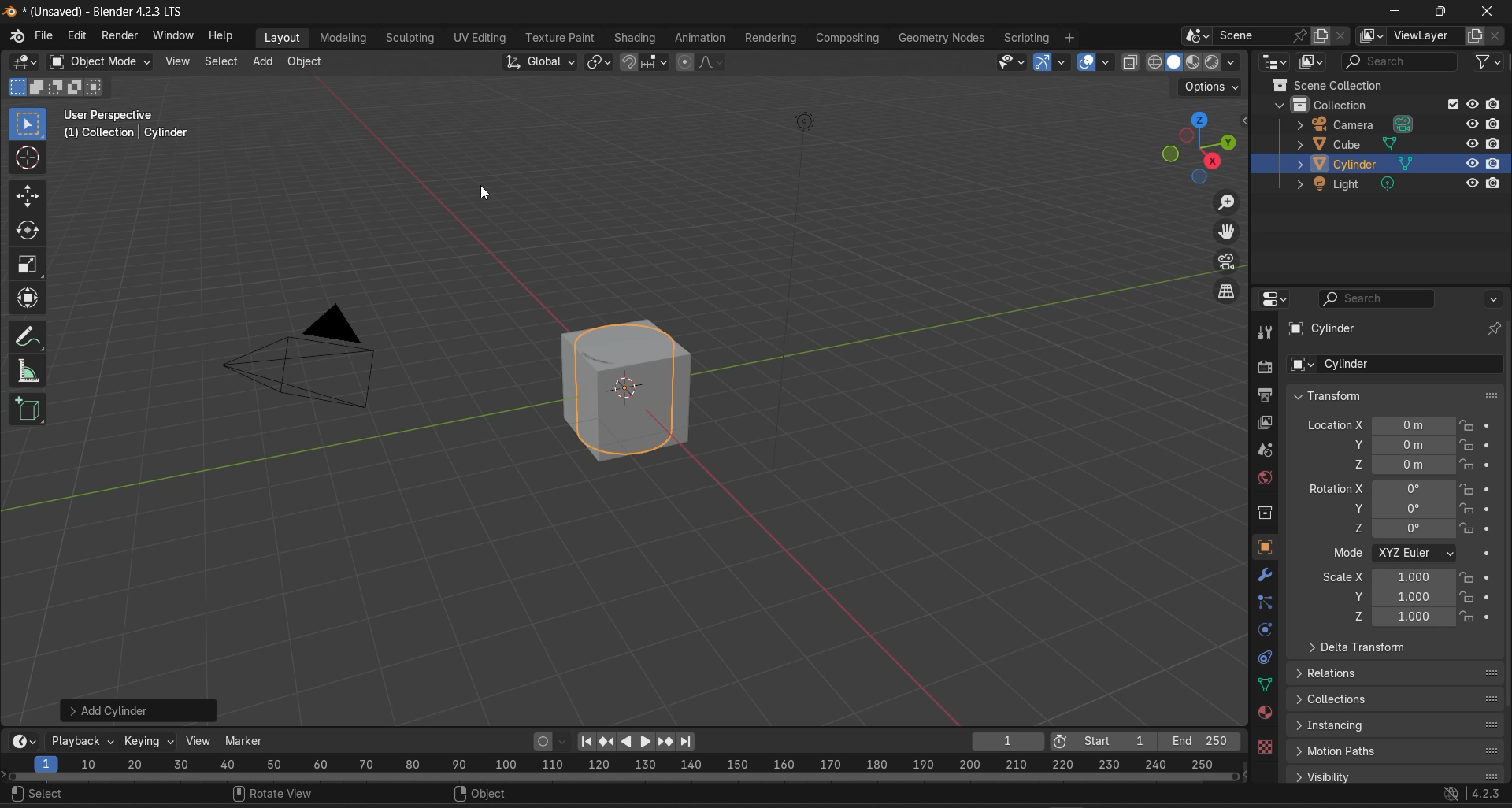  Describe the element at coordinates (1495, 143) in the screenshot. I see `disable in renders` at that location.